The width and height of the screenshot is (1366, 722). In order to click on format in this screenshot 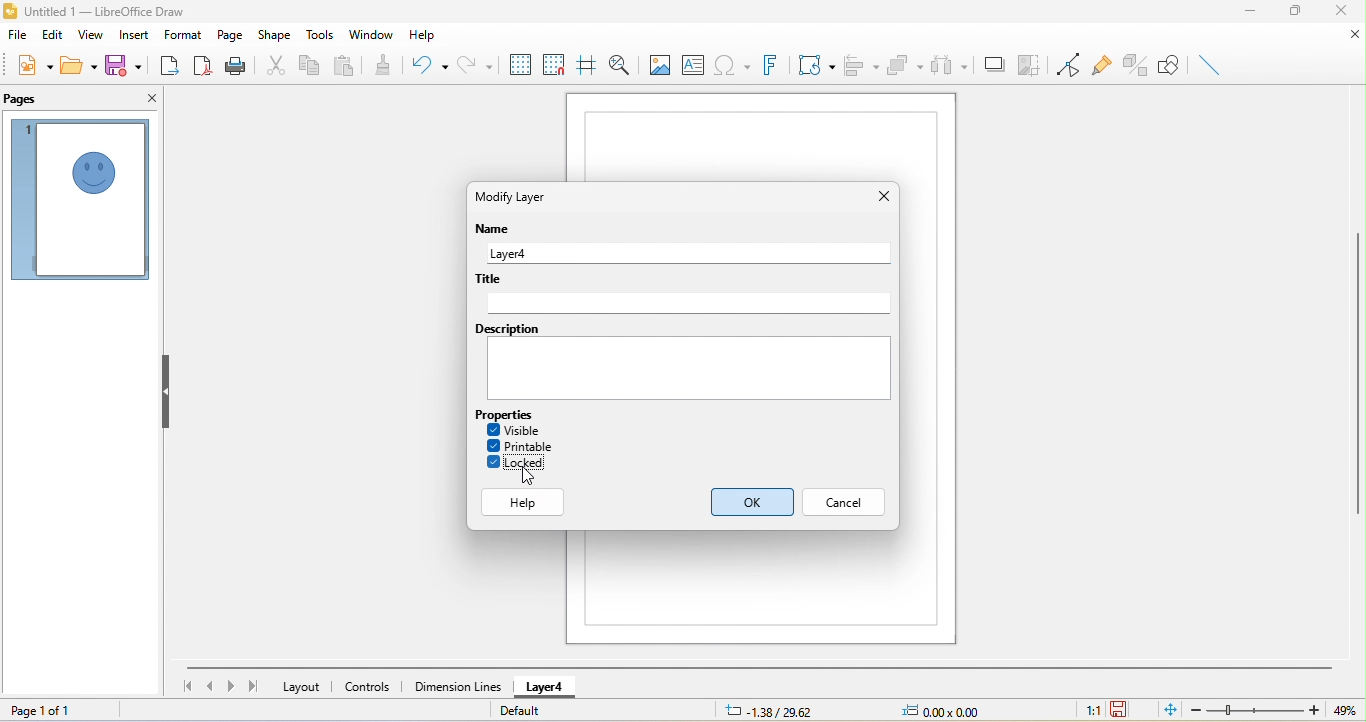, I will do `click(184, 35)`.